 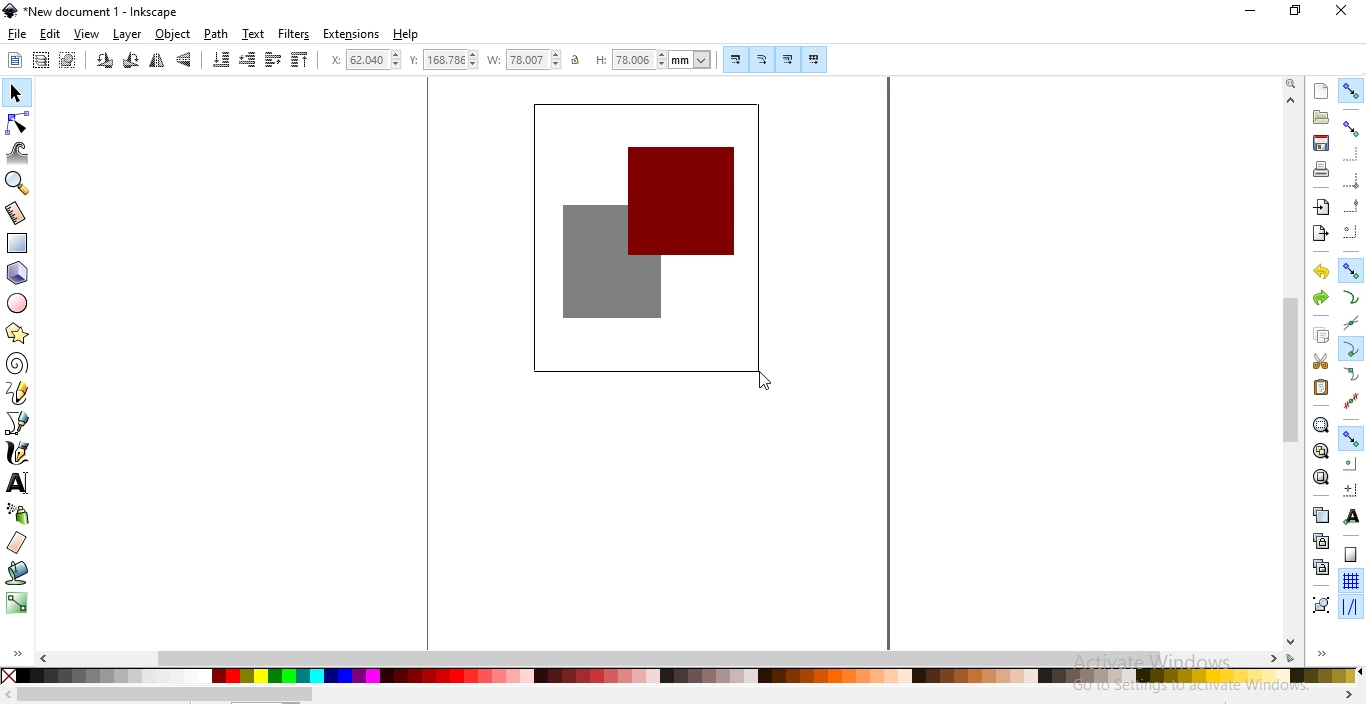 I want to click on copy, so click(x=1321, y=335).